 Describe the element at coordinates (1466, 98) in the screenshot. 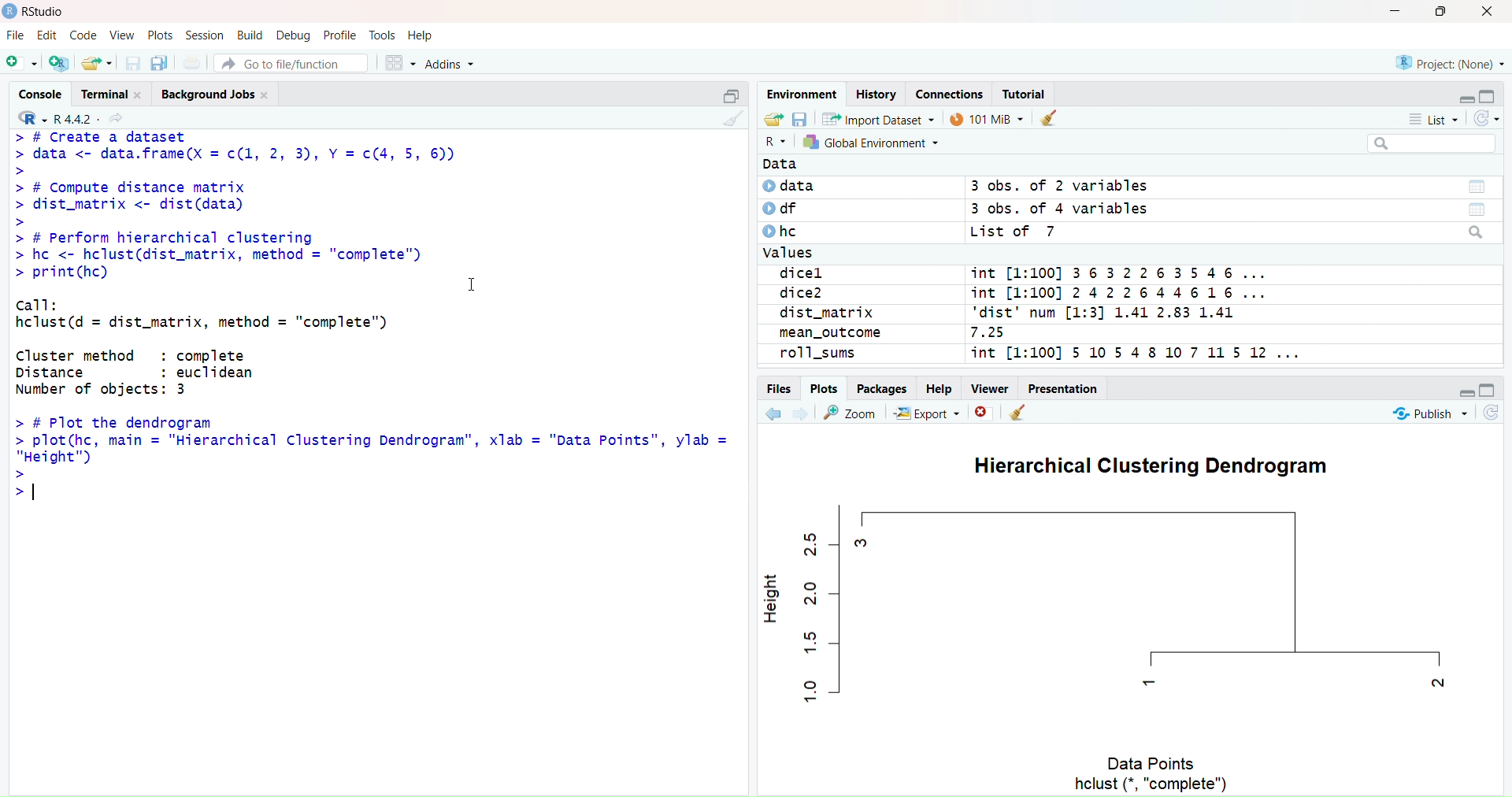

I see `Minimize` at that location.